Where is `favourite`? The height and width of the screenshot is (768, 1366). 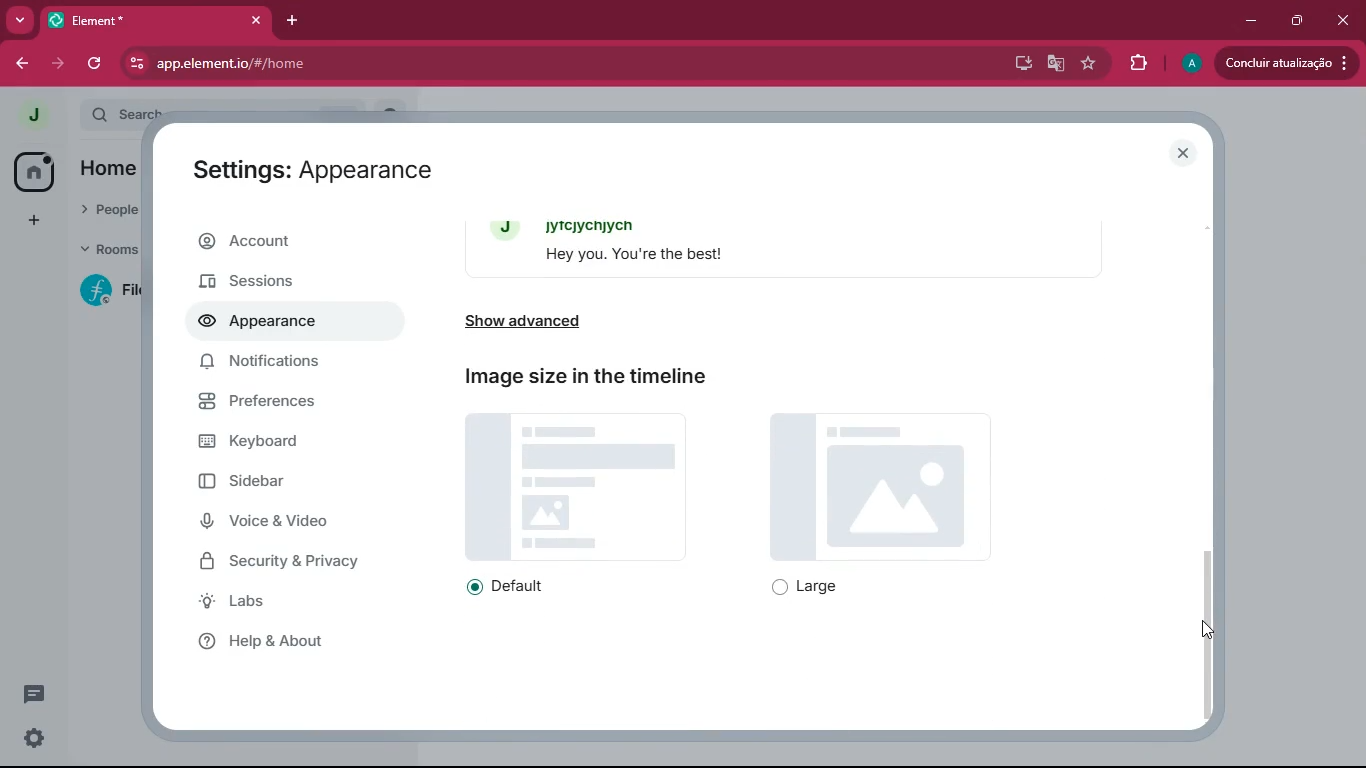
favourite is located at coordinates (1087, 65).